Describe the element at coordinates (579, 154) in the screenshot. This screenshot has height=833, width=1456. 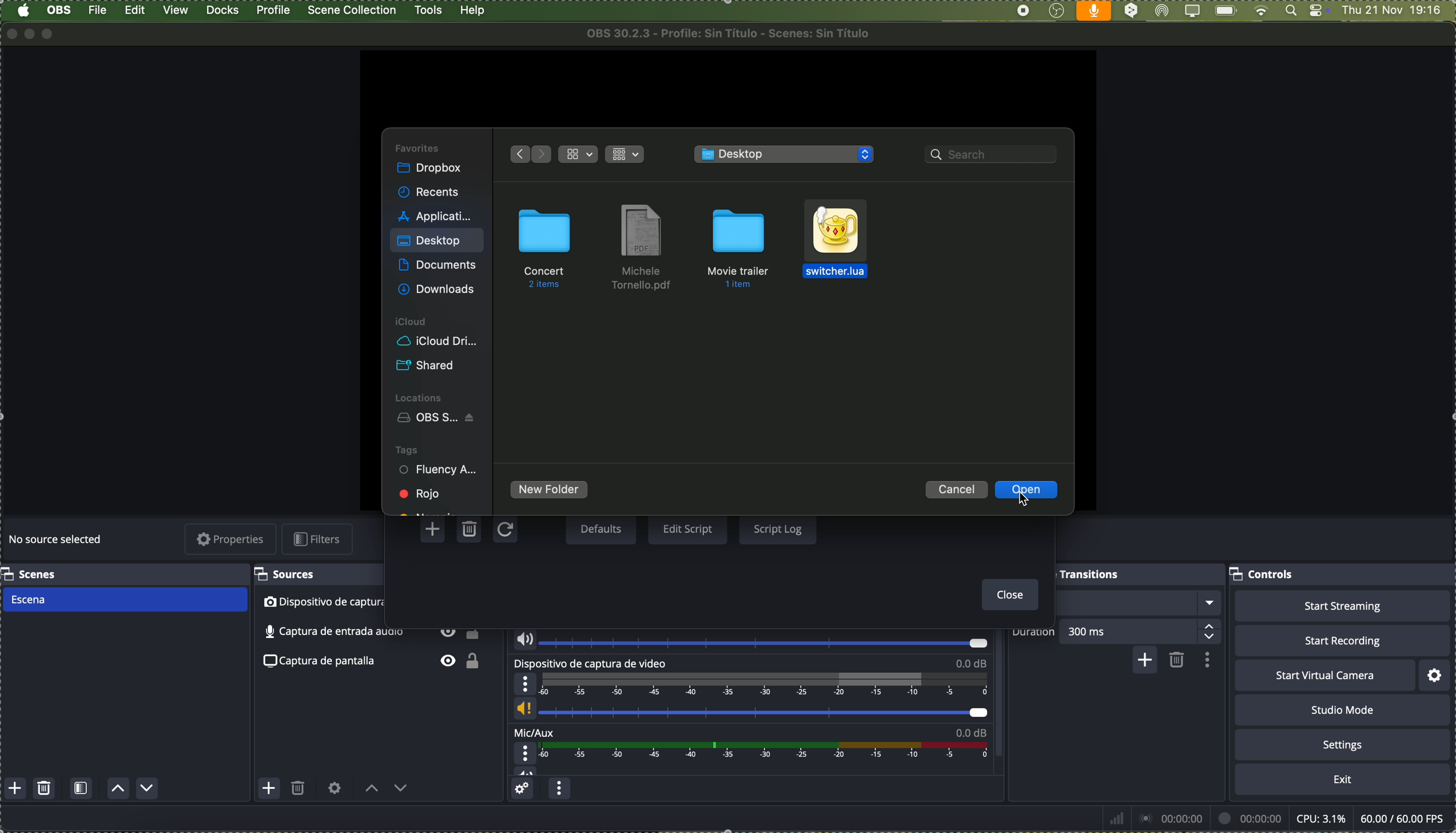
I see `grid view` at that location.